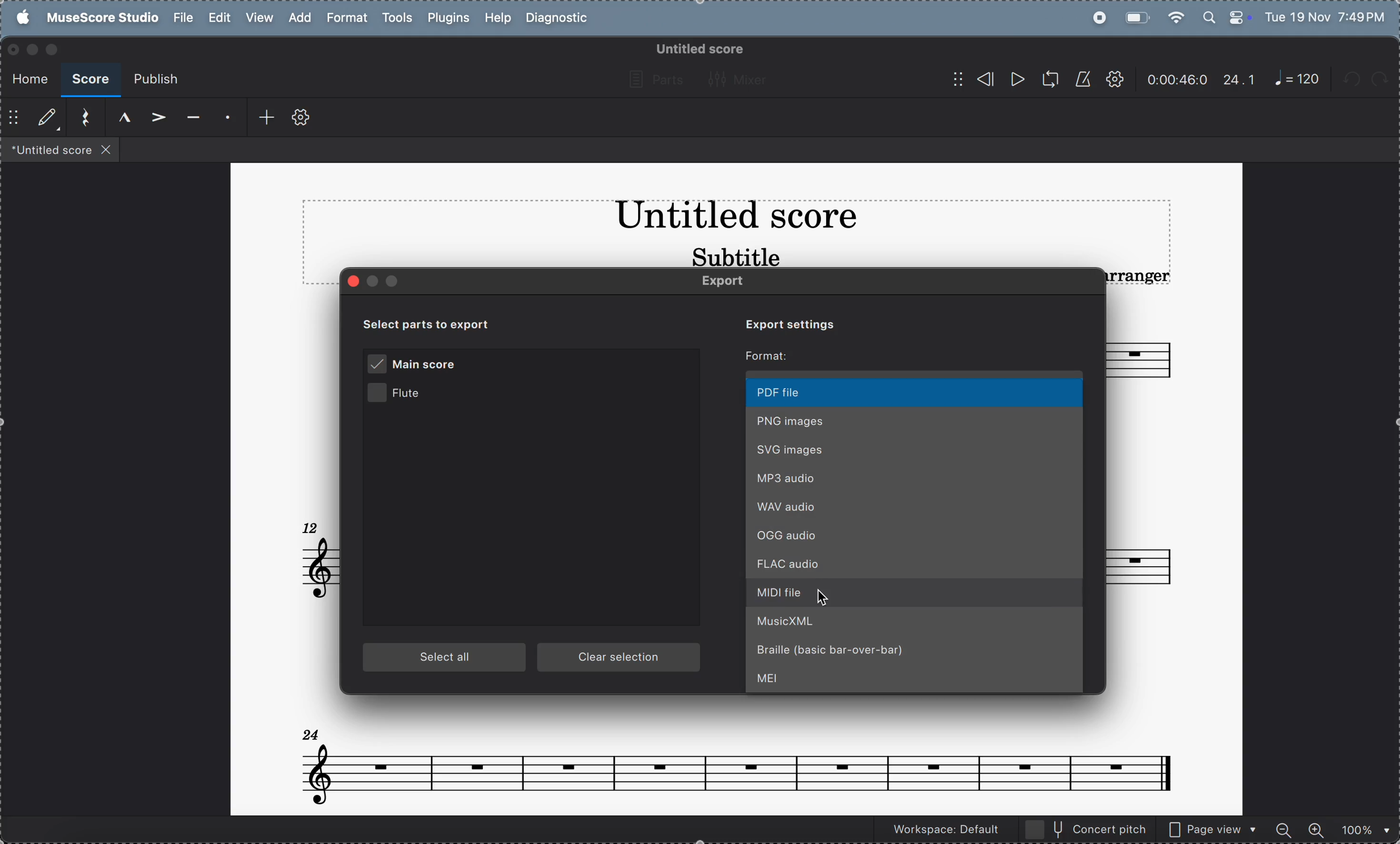 The image size is (1400, 844). I want to click on loopback, so click(1046, 80).